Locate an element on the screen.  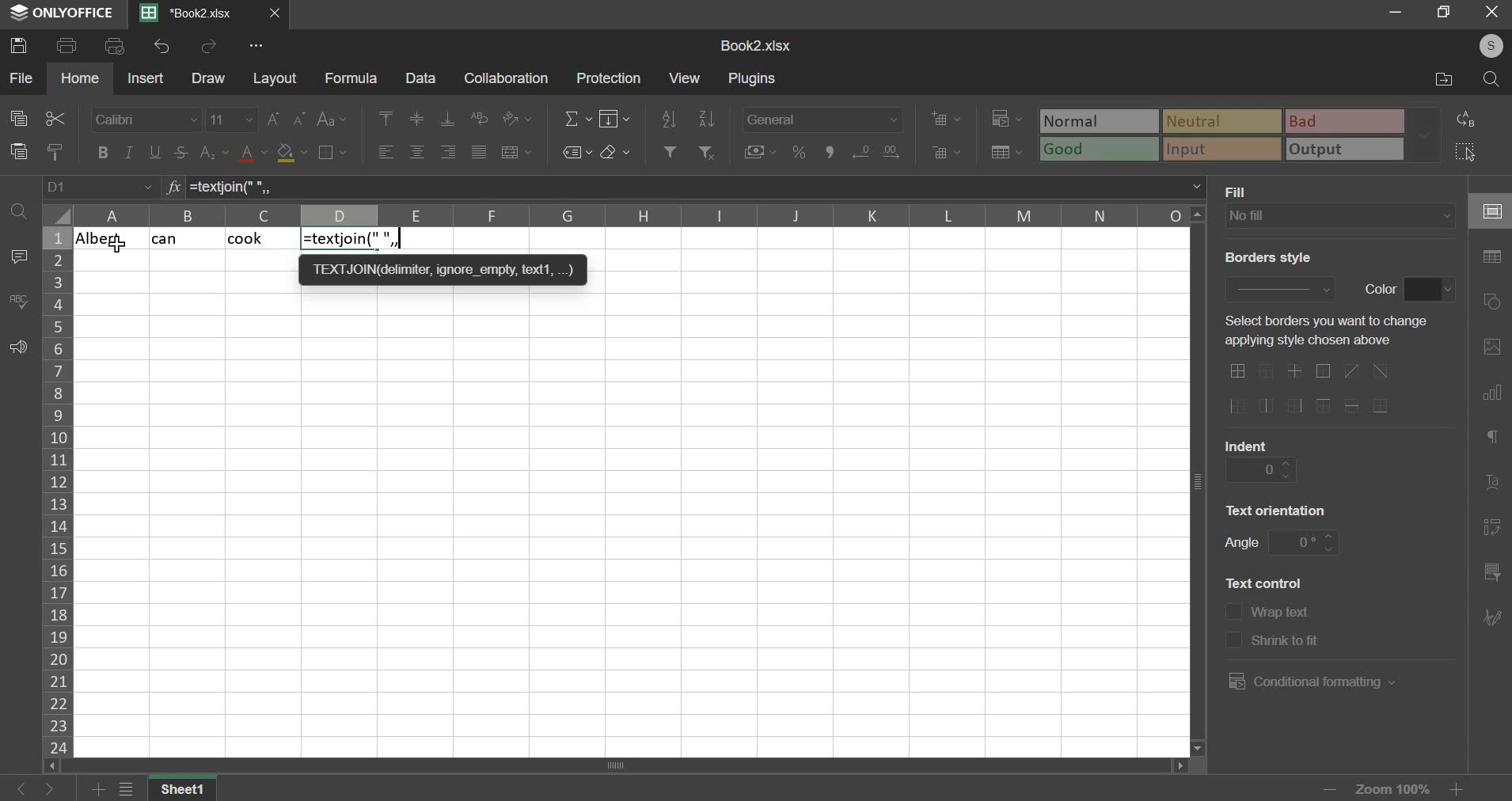
cell is located at coordinates (1490, 212).